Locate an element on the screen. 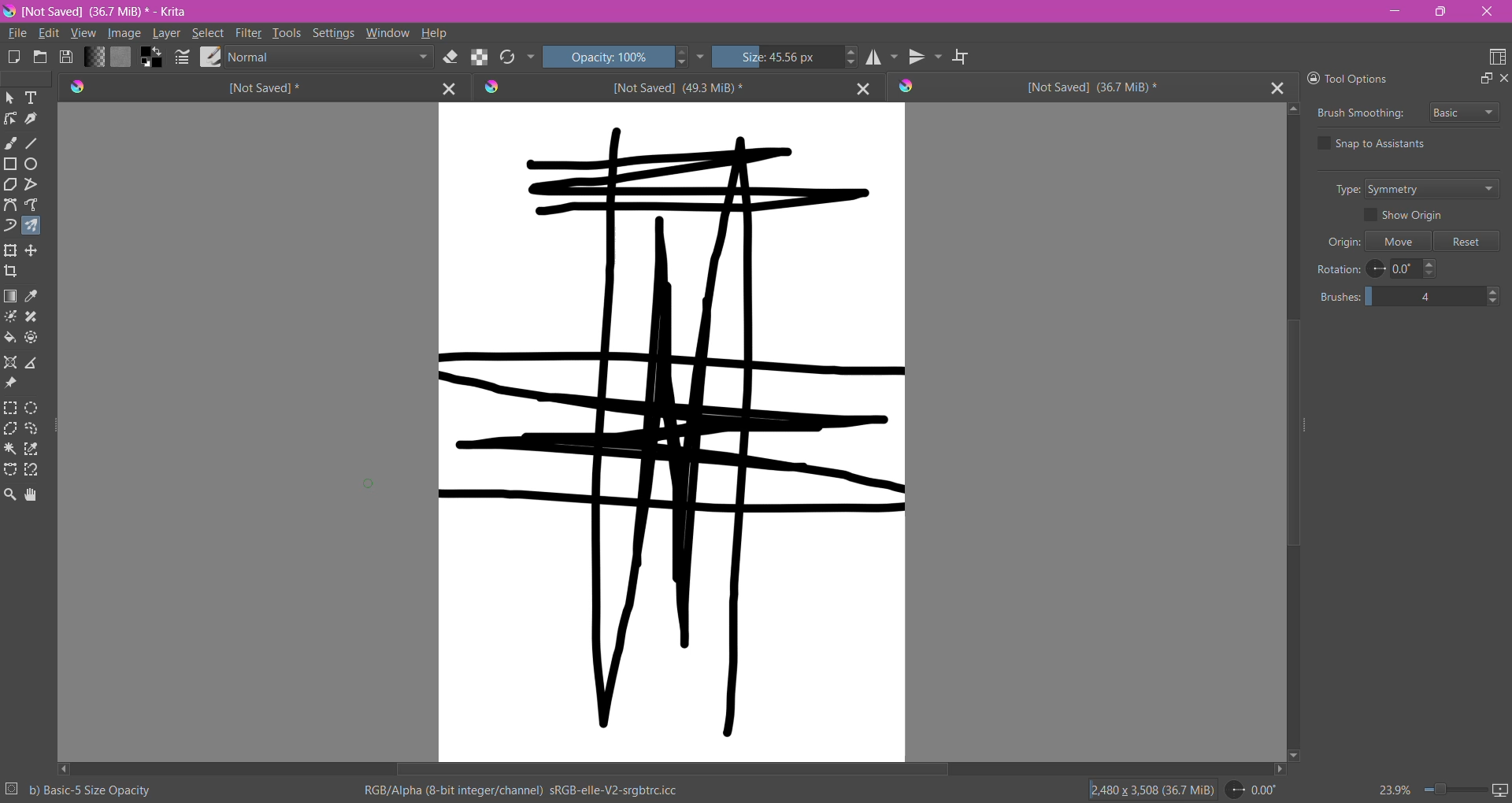 The width and height of the screenshot is (1512, 803). Blending Mode is located at coordinates (328, 57).